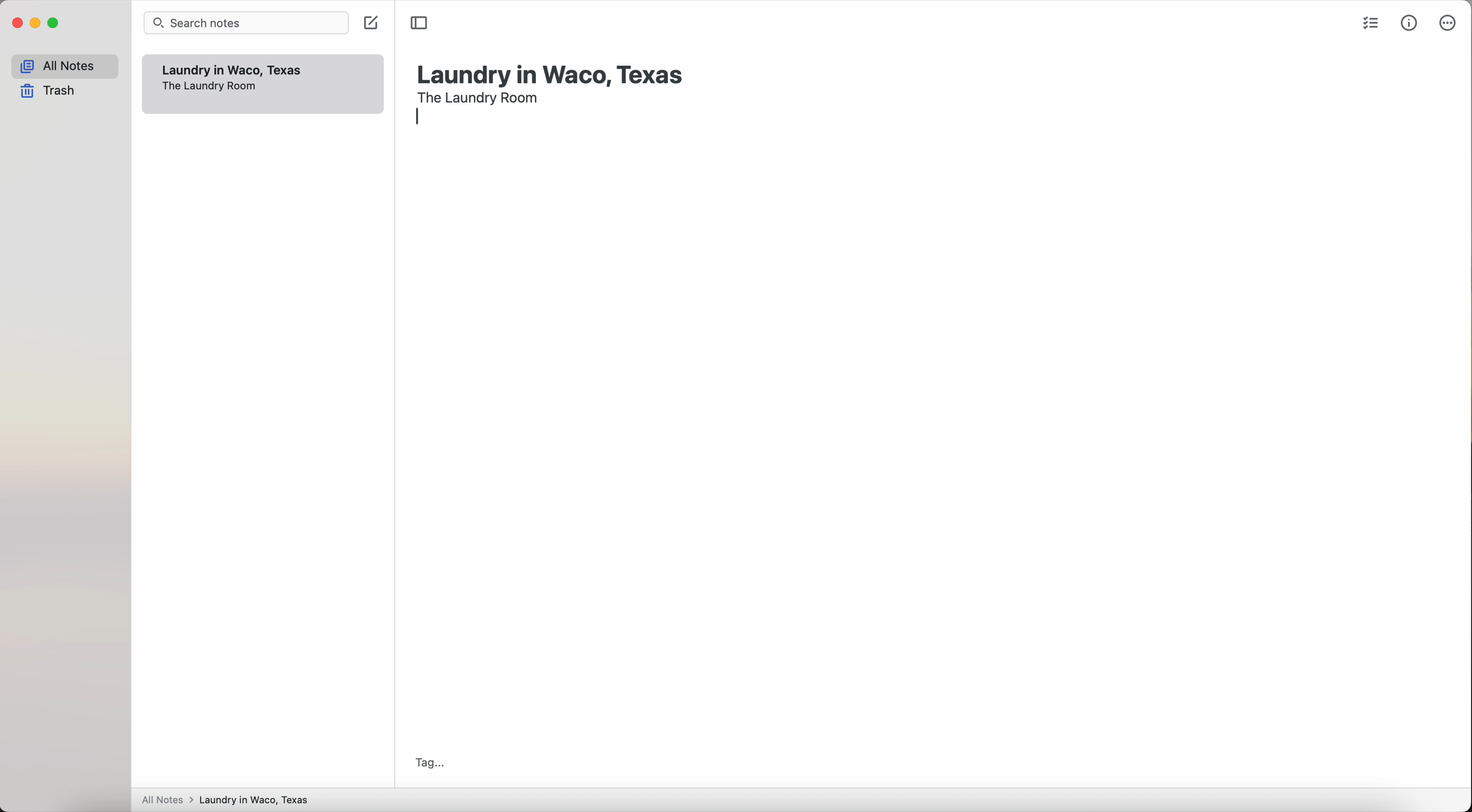 This screenshot has height=812, width=1472. I want to click on laundry in Waco, Texas, so click(552, 70).